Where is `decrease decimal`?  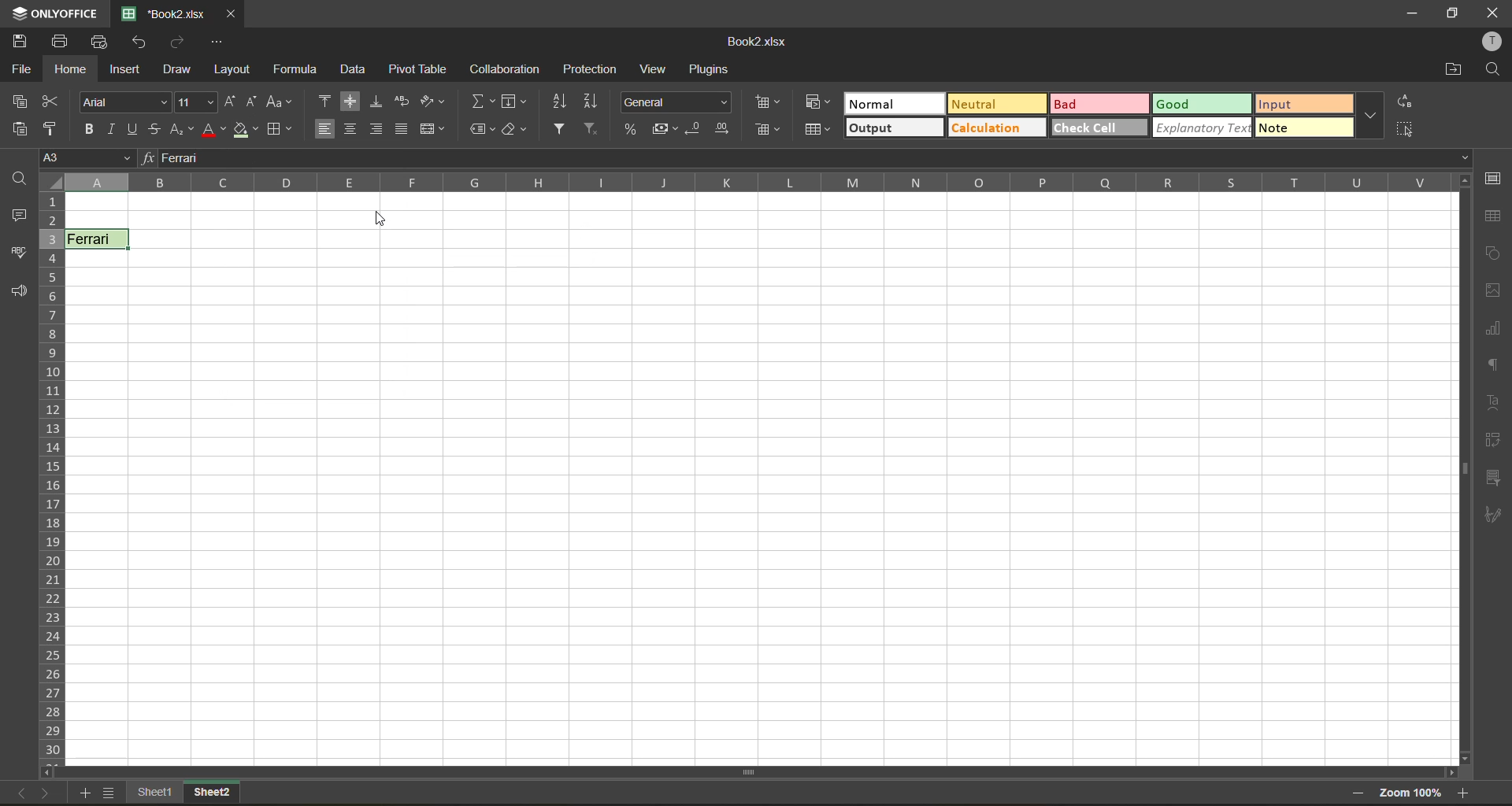 decrease decimal is located at coordinates (695, 126).